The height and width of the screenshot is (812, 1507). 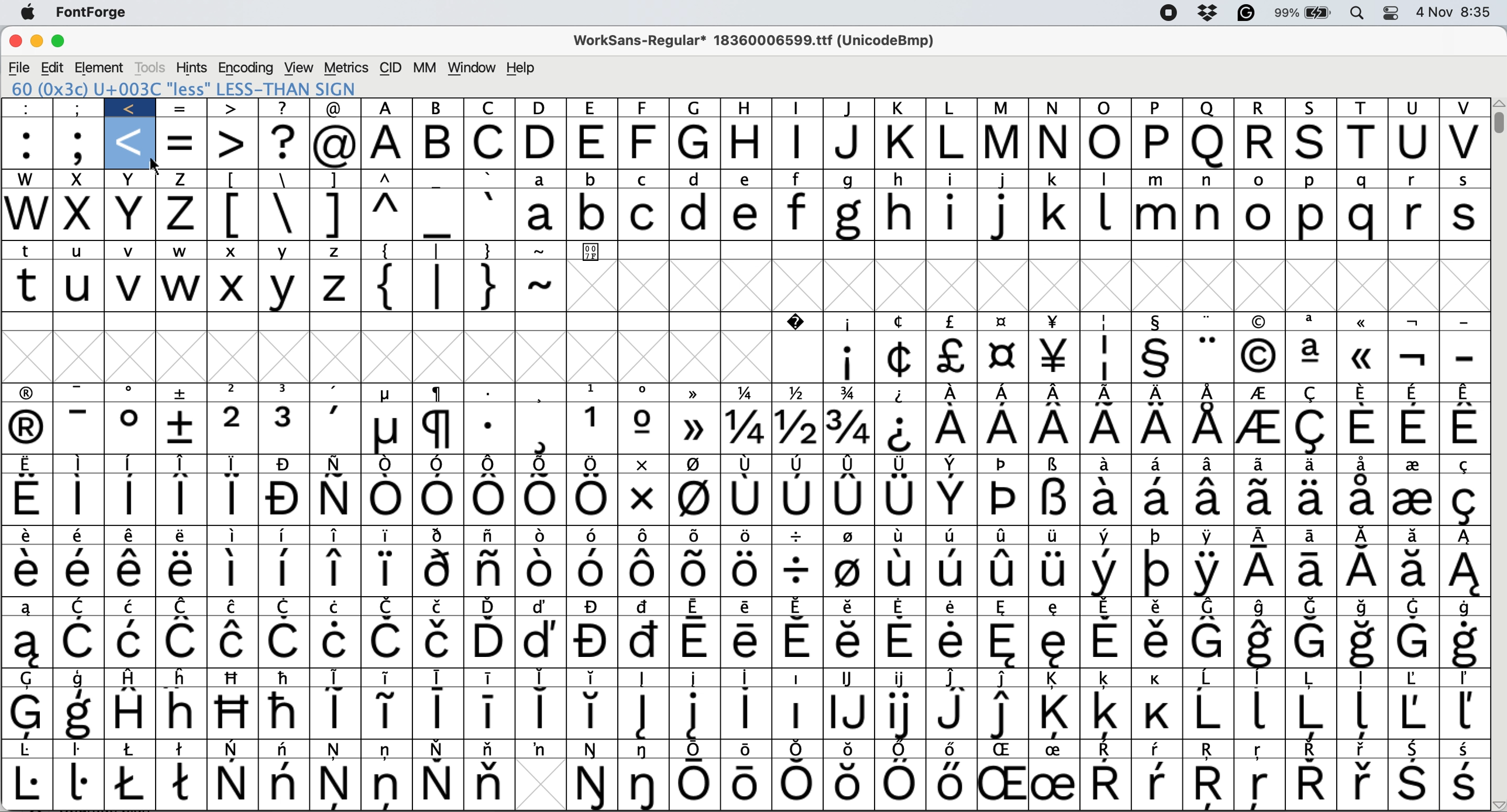 What do you see at coordinates (1054, 533) in the screenshot?
I see `Symbol` at bounding box center [1054, 533].